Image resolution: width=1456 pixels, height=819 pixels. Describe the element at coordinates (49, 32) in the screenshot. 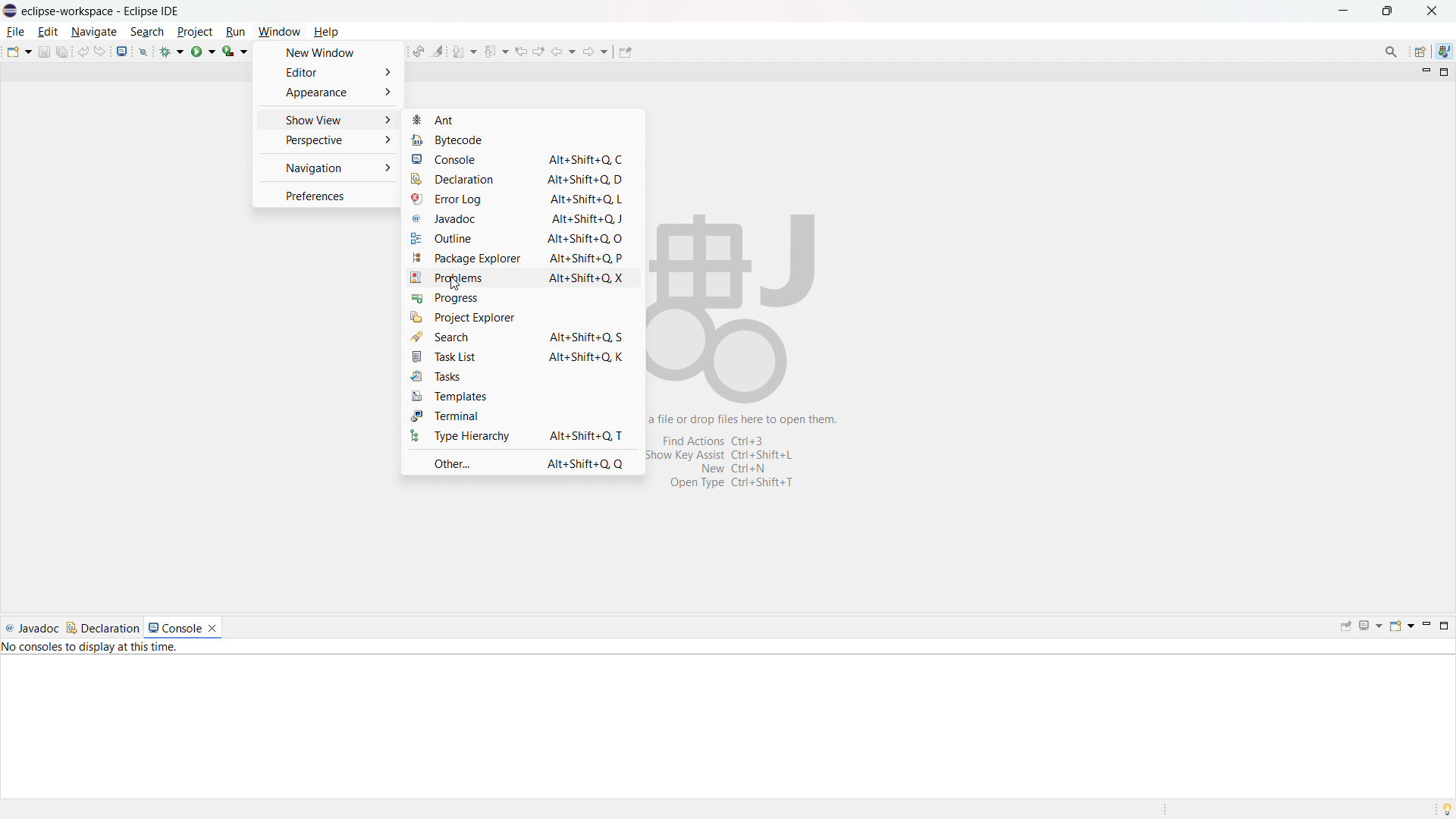

I see `edit` at that location.